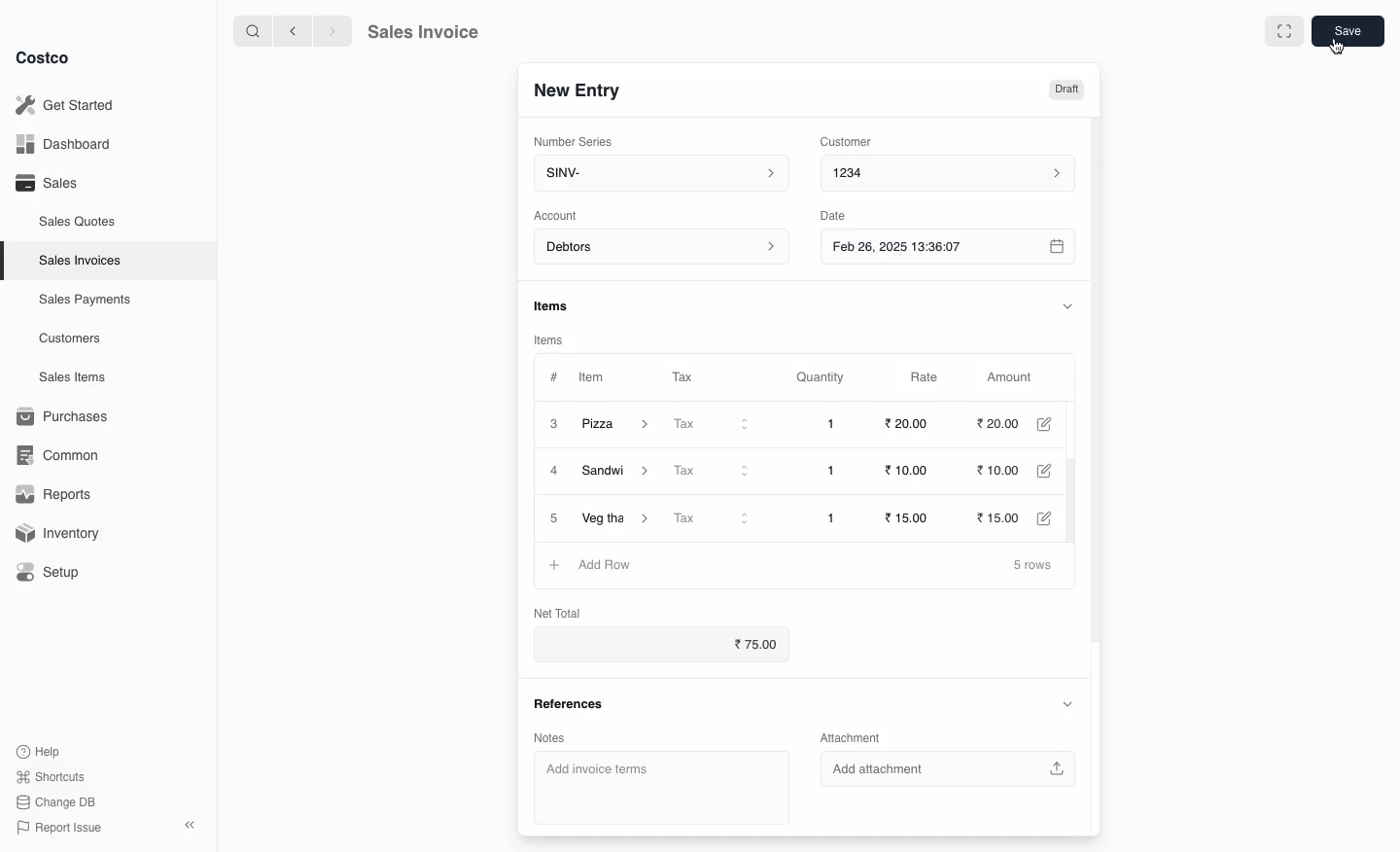 Image resolution: width=1400 pixels, height=852 pixels. What do you see at coordinates (660, 175) in the screenshot?
I see `SINV-` at bounding box center [660, 175].